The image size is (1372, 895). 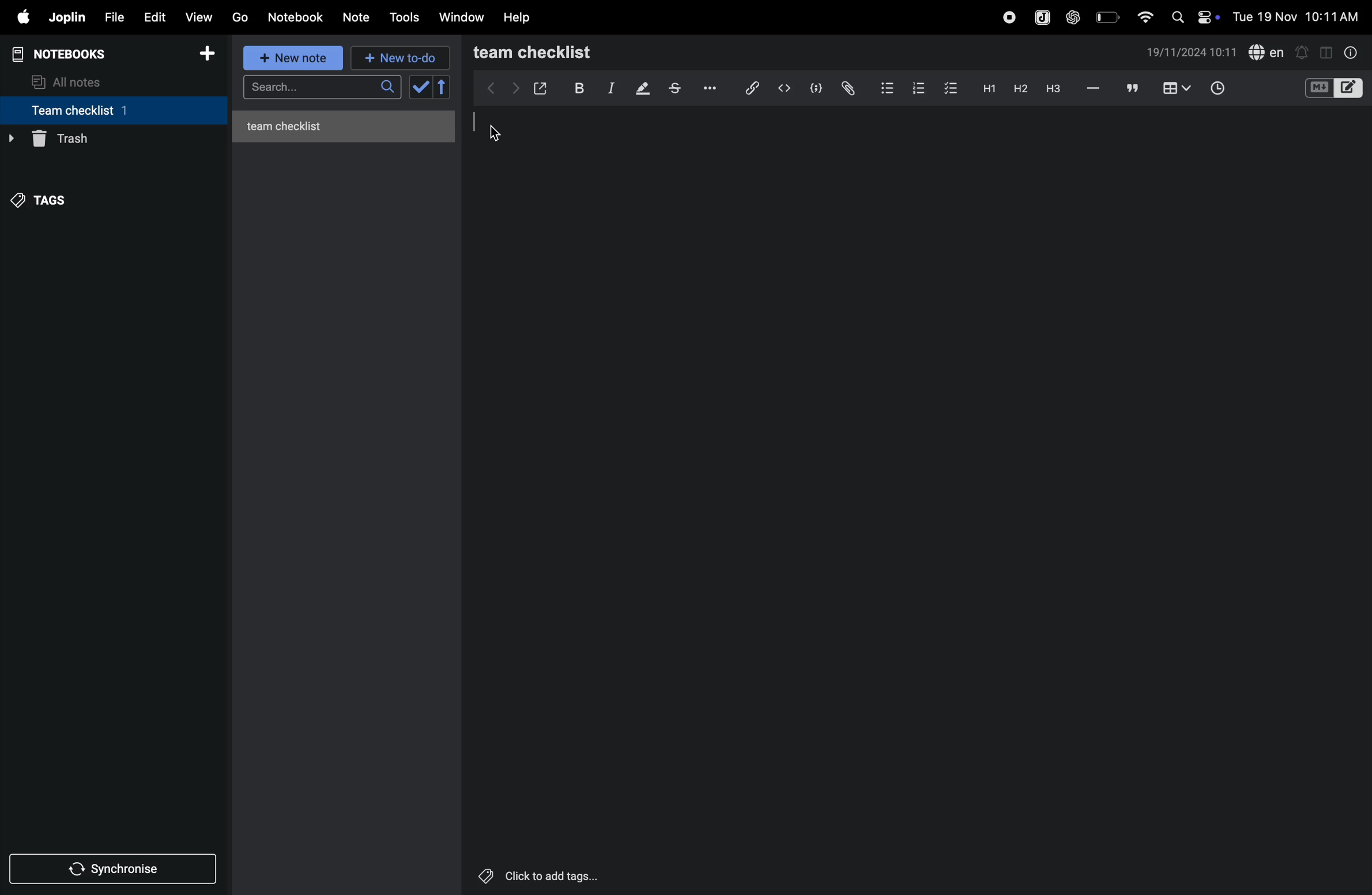 I want to click on battery, so click(x=1106, y=17).